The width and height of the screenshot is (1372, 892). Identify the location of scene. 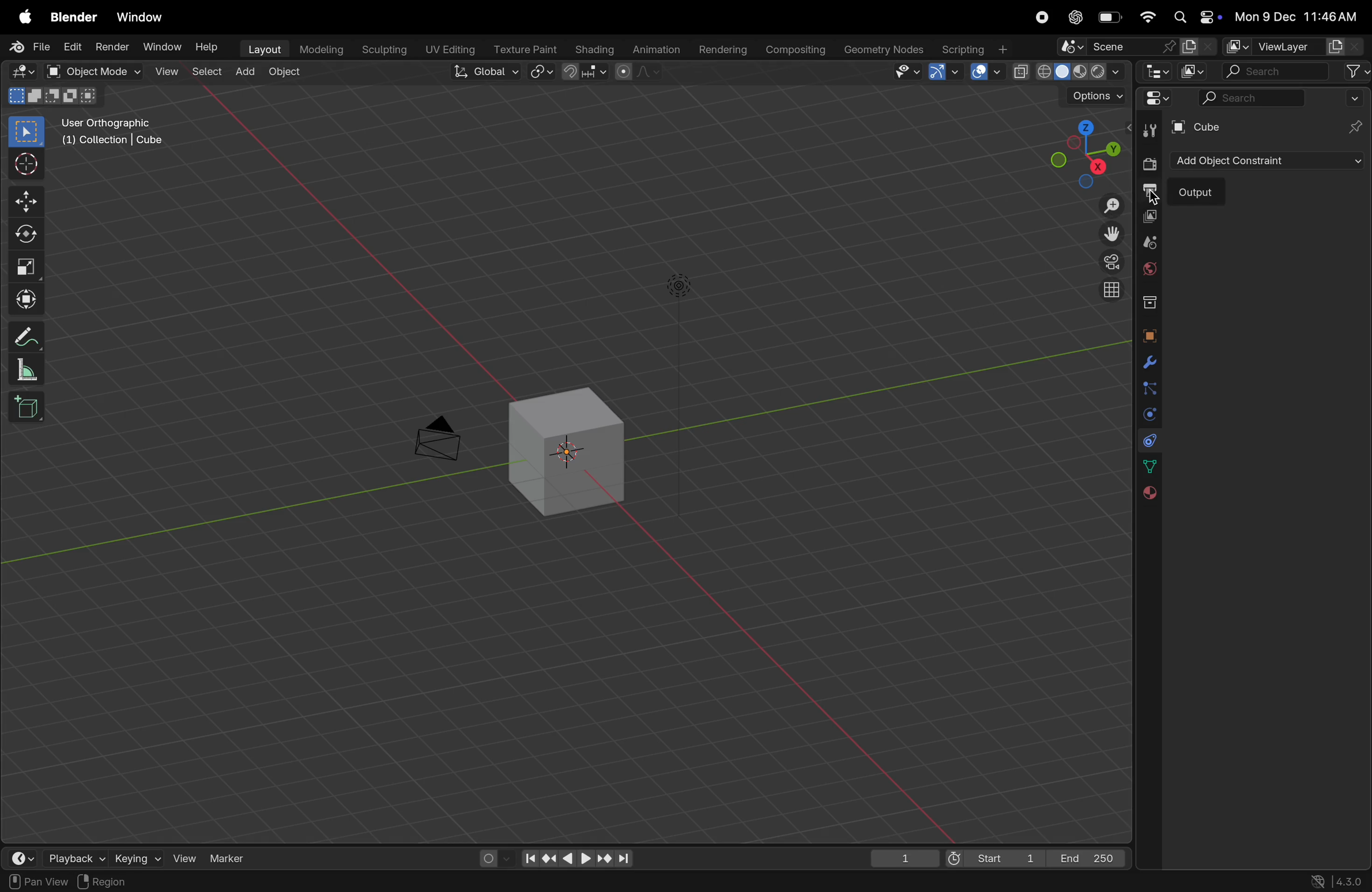
(1134, 47).